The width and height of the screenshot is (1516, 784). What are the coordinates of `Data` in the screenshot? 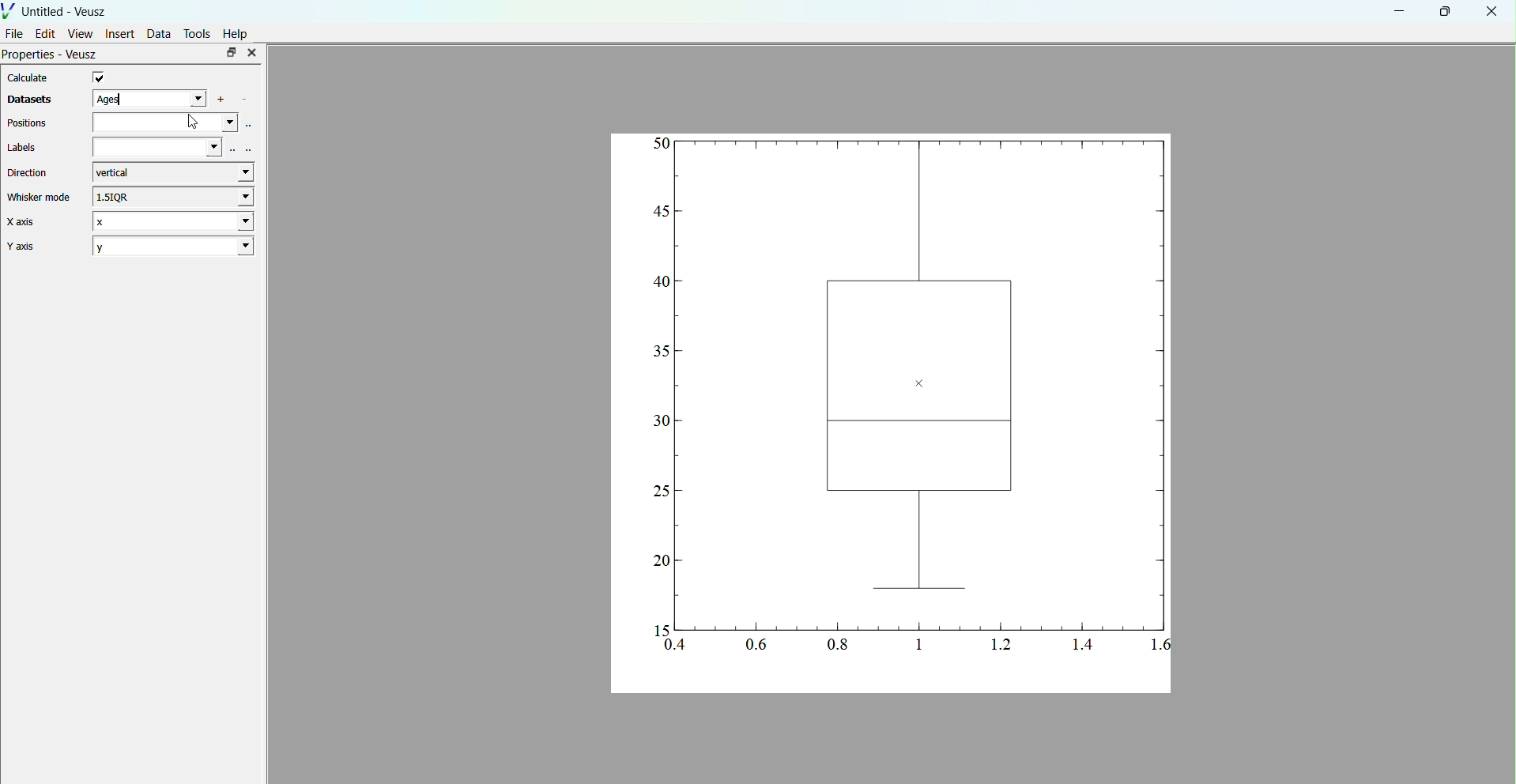 It's located at (159, 33).